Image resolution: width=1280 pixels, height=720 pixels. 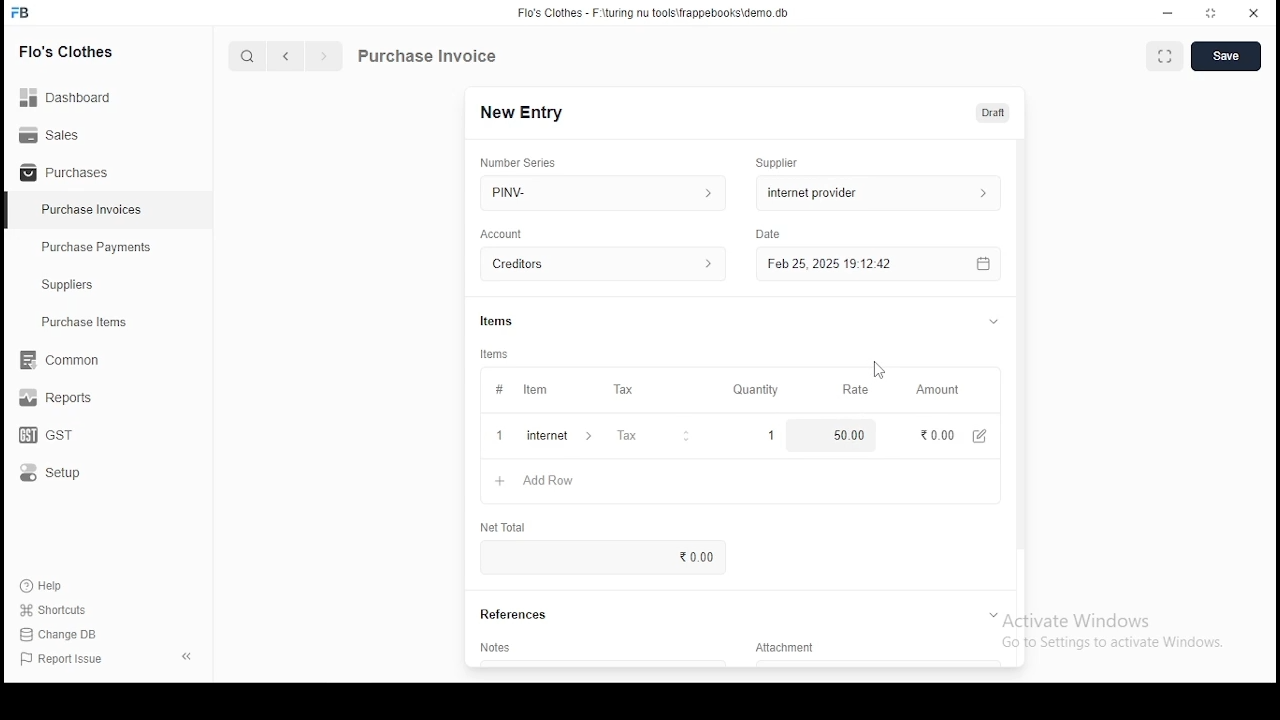 I want to click on tax, so click(x=627, y=438).